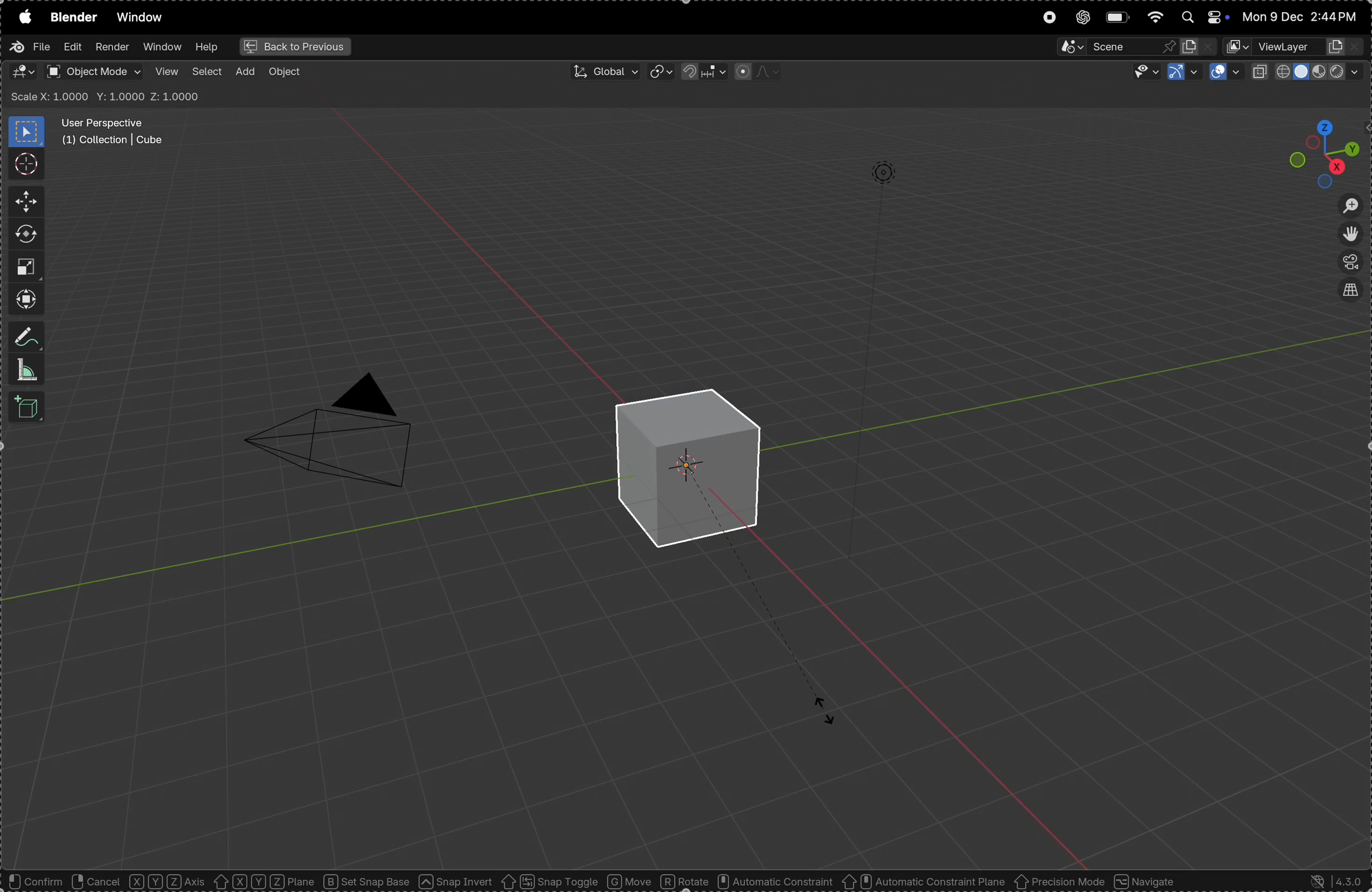 The width and height of the screenshot is (1372, 892). I want to click on record, so click(1047, 20).